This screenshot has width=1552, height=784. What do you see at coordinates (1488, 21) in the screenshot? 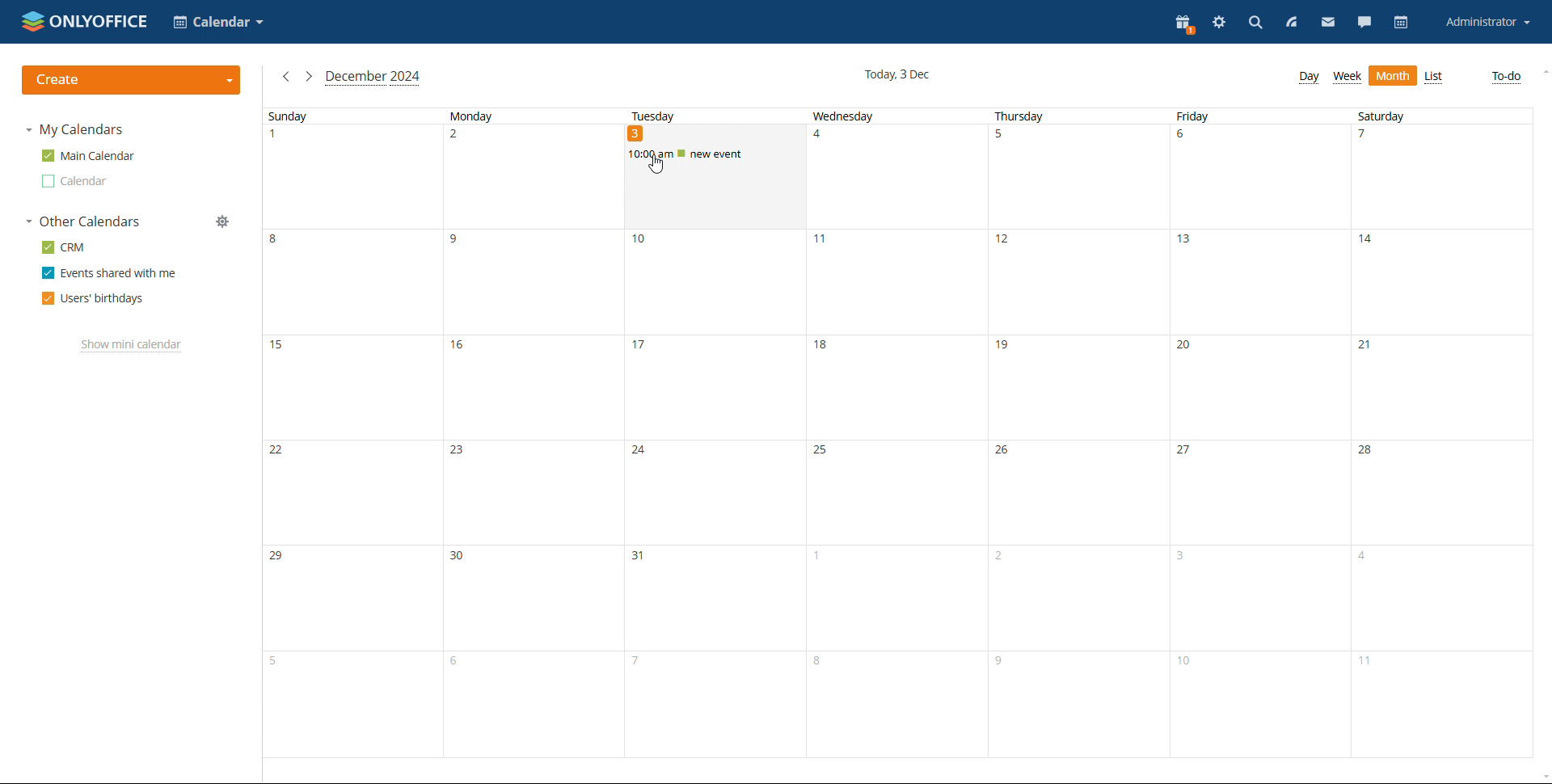
I see `account` at bounding box center [1488, 21].